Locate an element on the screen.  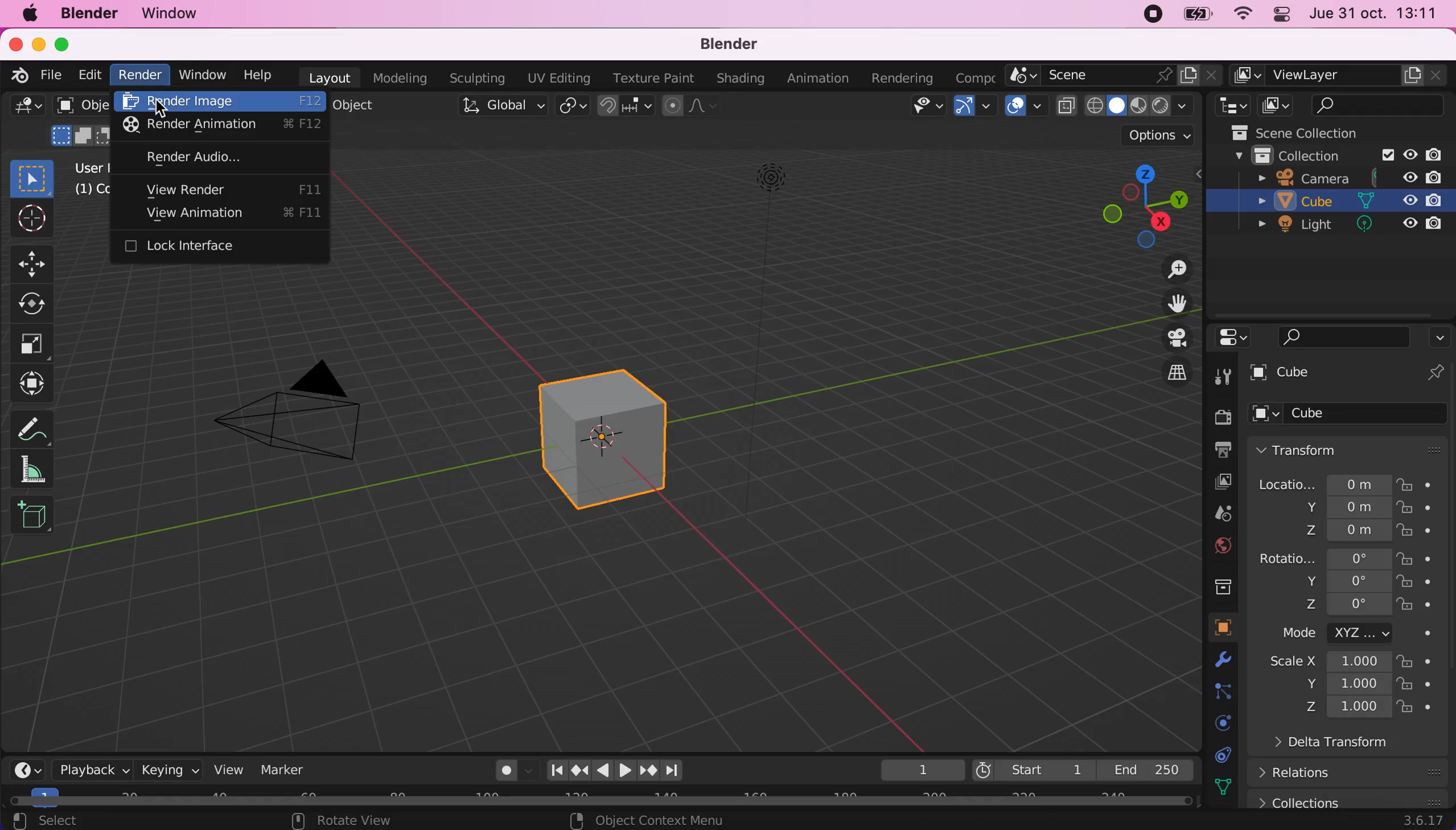
rotation z is located at coordinates (1319, 609).